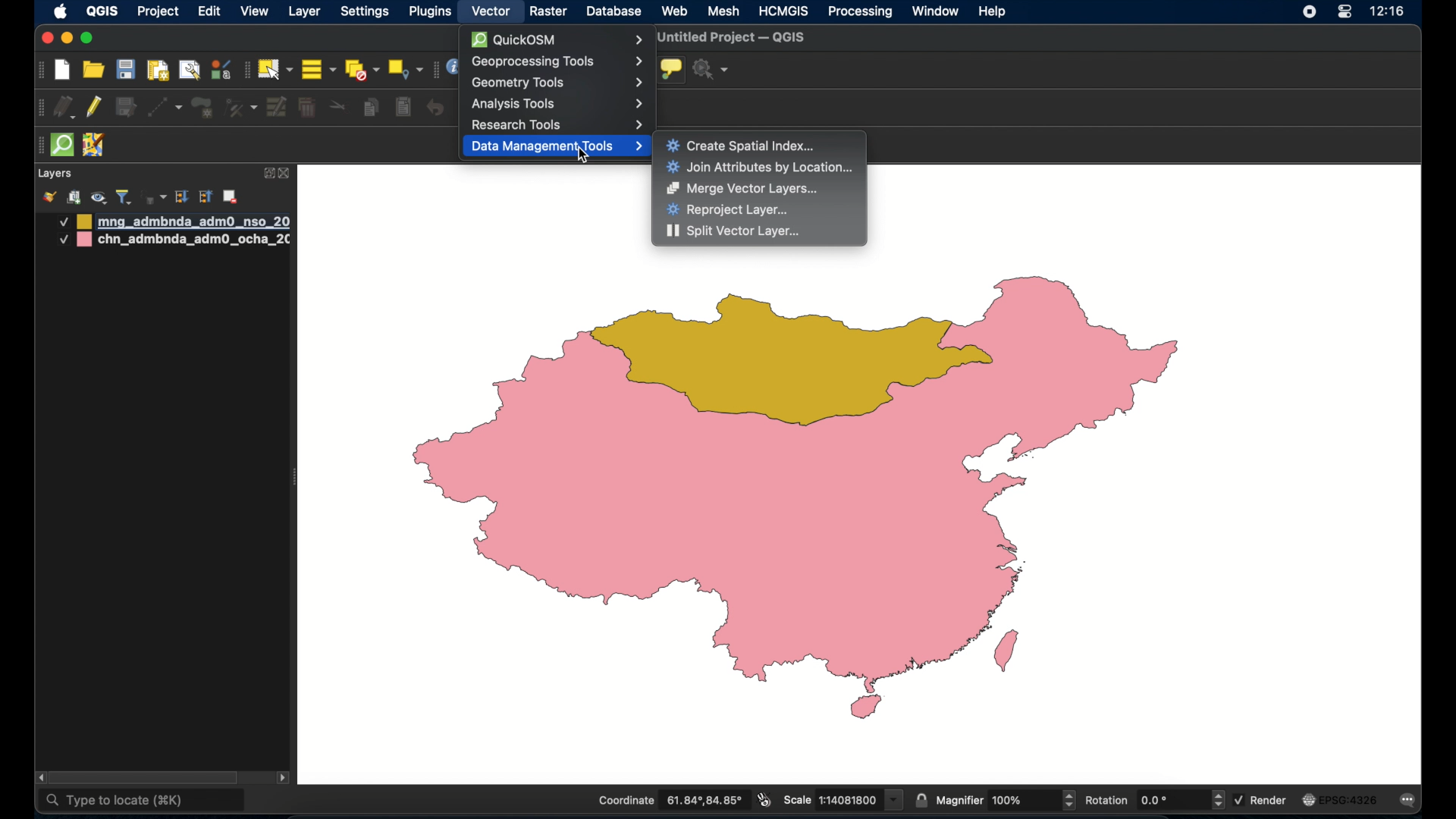 Image resolution: width=1456 pixels, height=819 pixels. I want to click on cursor, so click(579, 155).